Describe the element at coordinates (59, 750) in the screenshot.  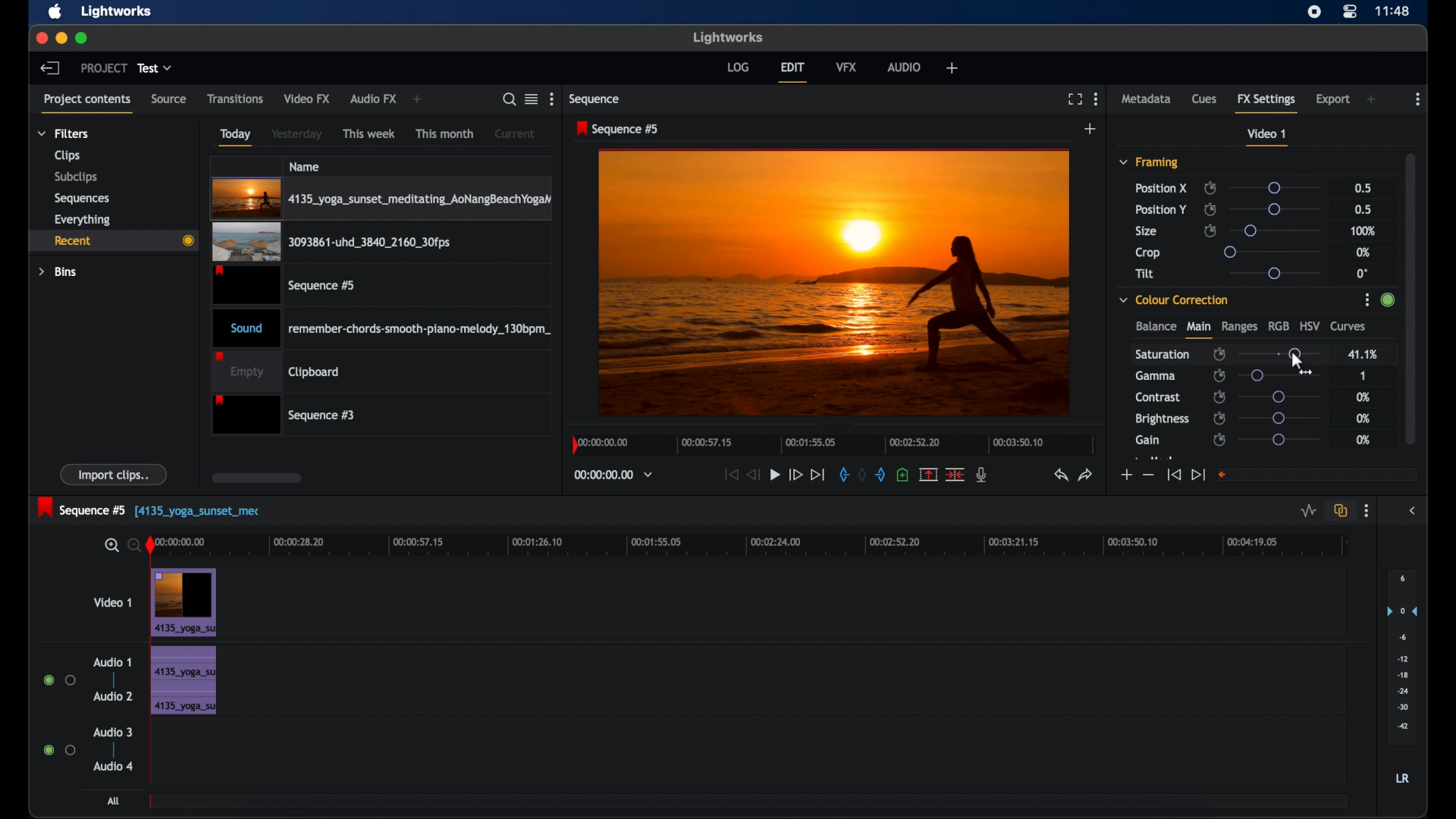
I see `radio buttons` at that location.